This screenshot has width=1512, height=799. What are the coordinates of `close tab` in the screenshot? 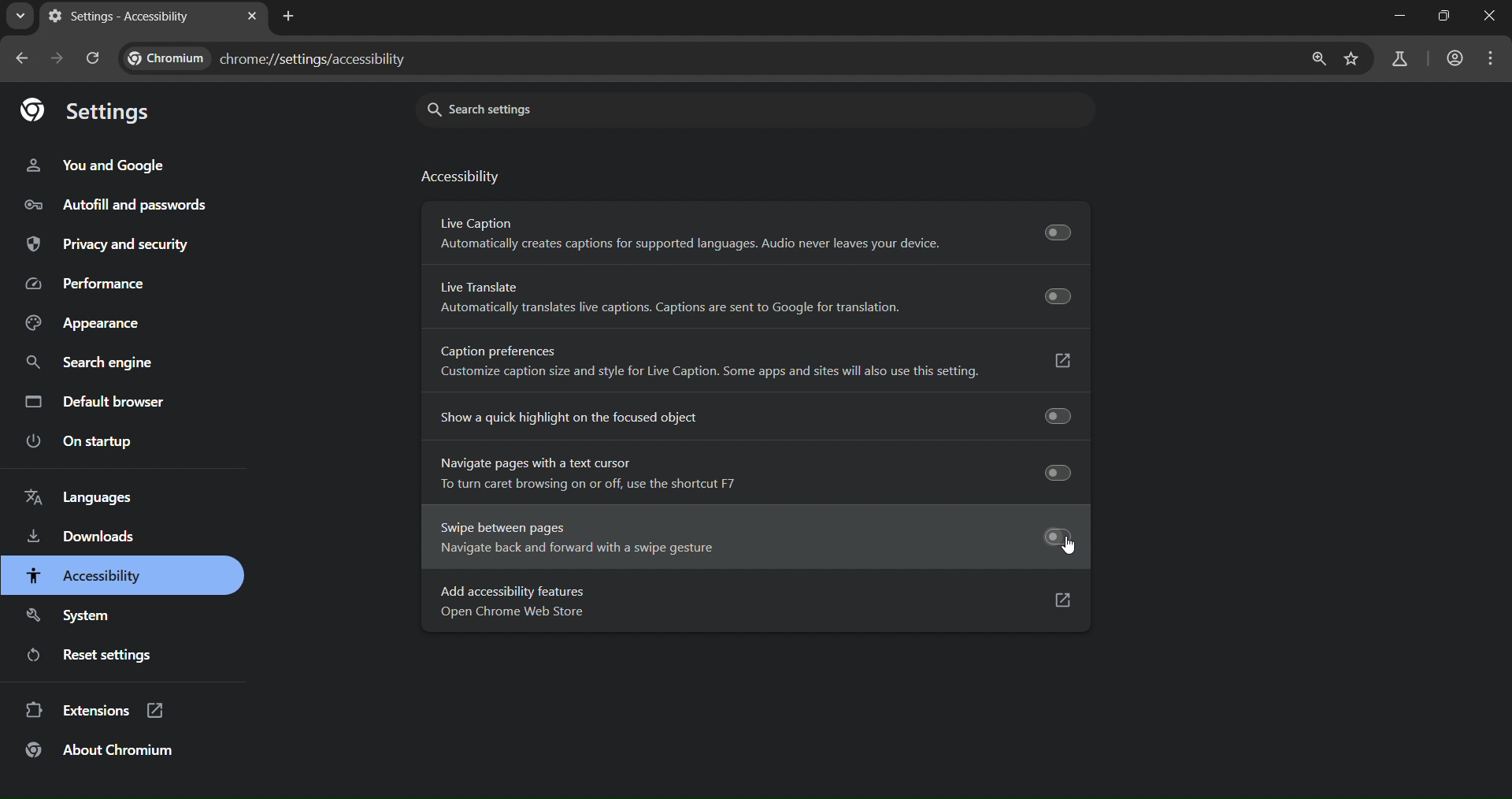 It's located at (252, 16).